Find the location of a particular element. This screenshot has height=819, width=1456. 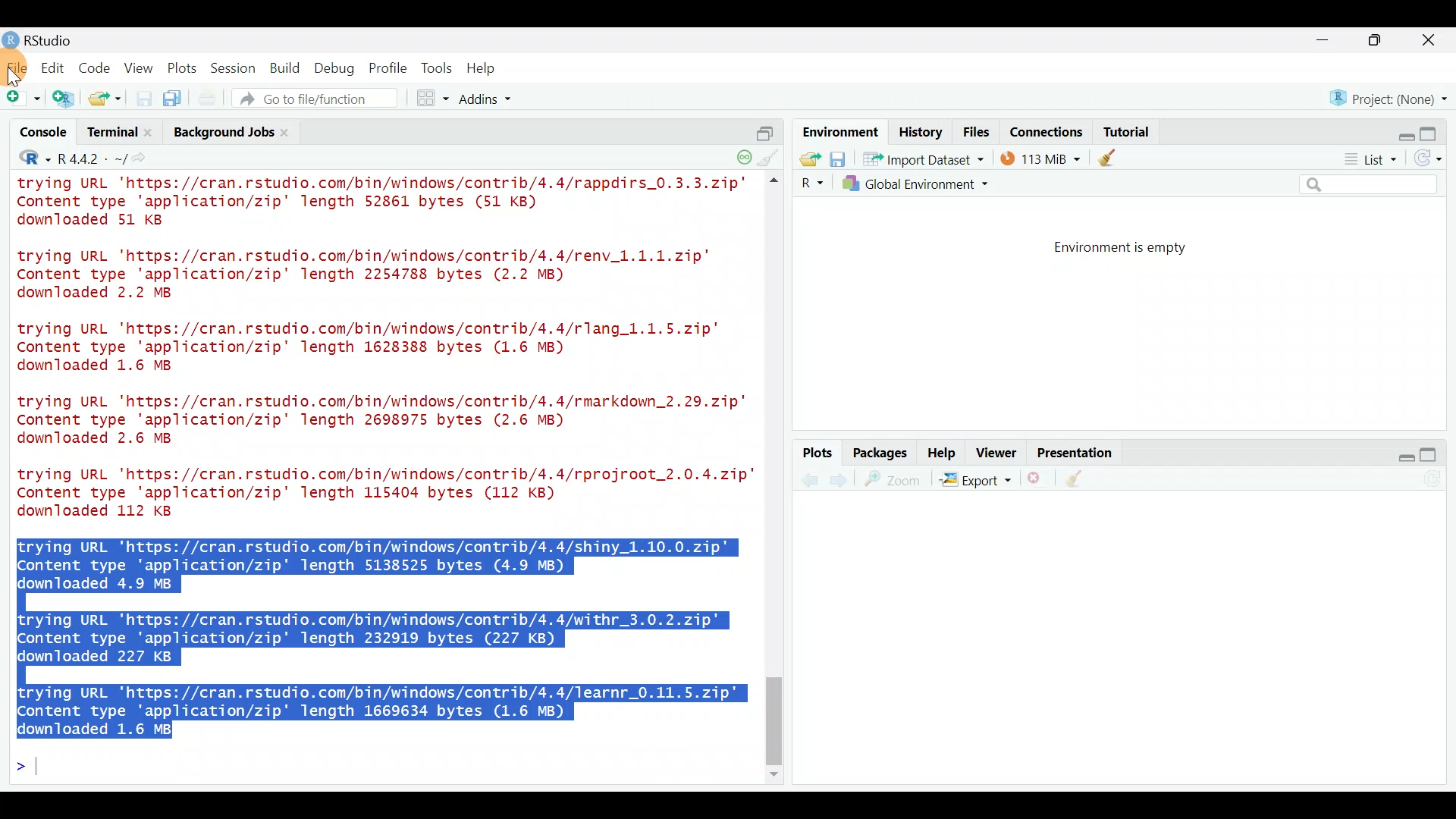

Packages is located at coordinates (879, 452).